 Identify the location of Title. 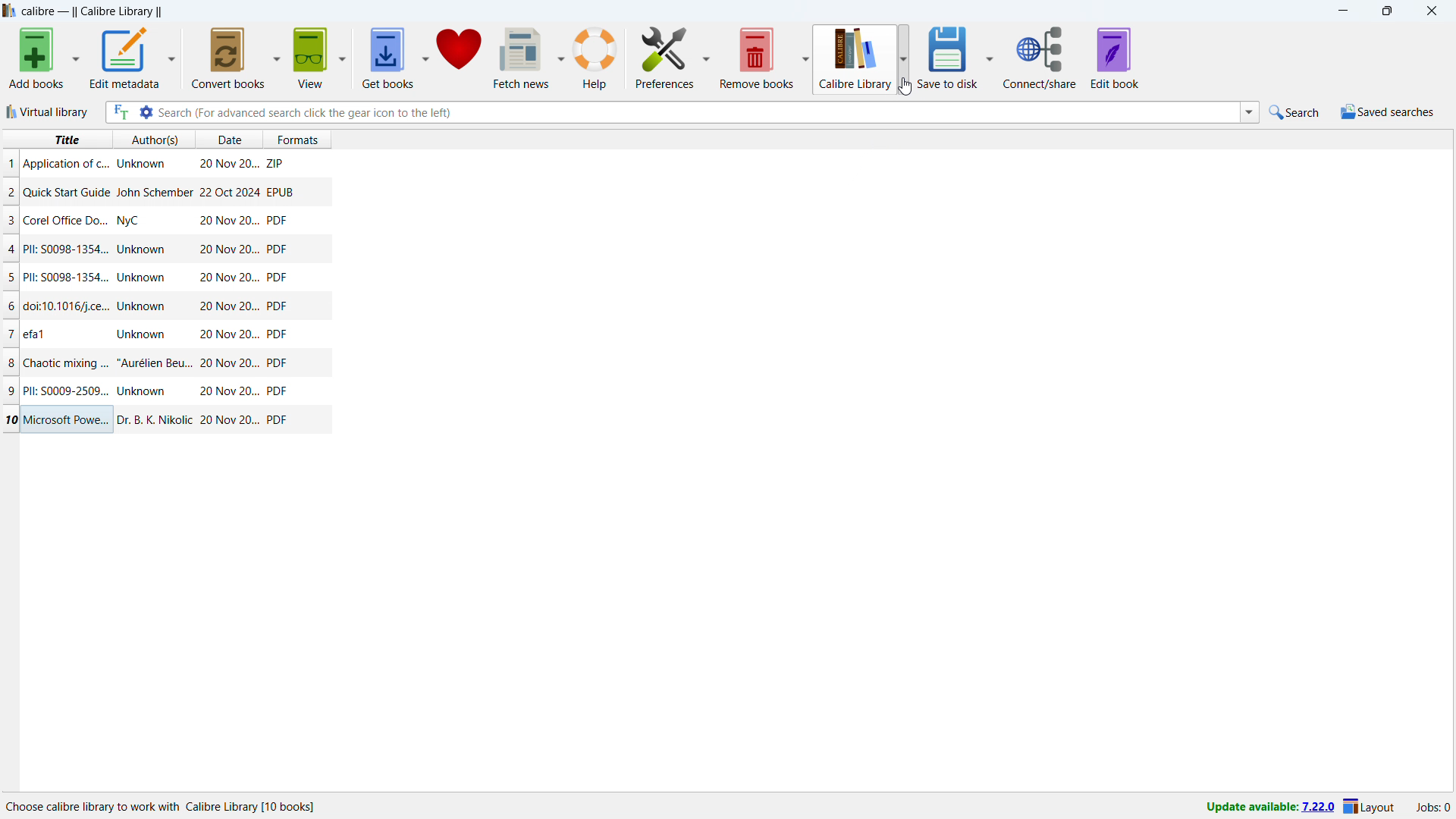
(67, 192).